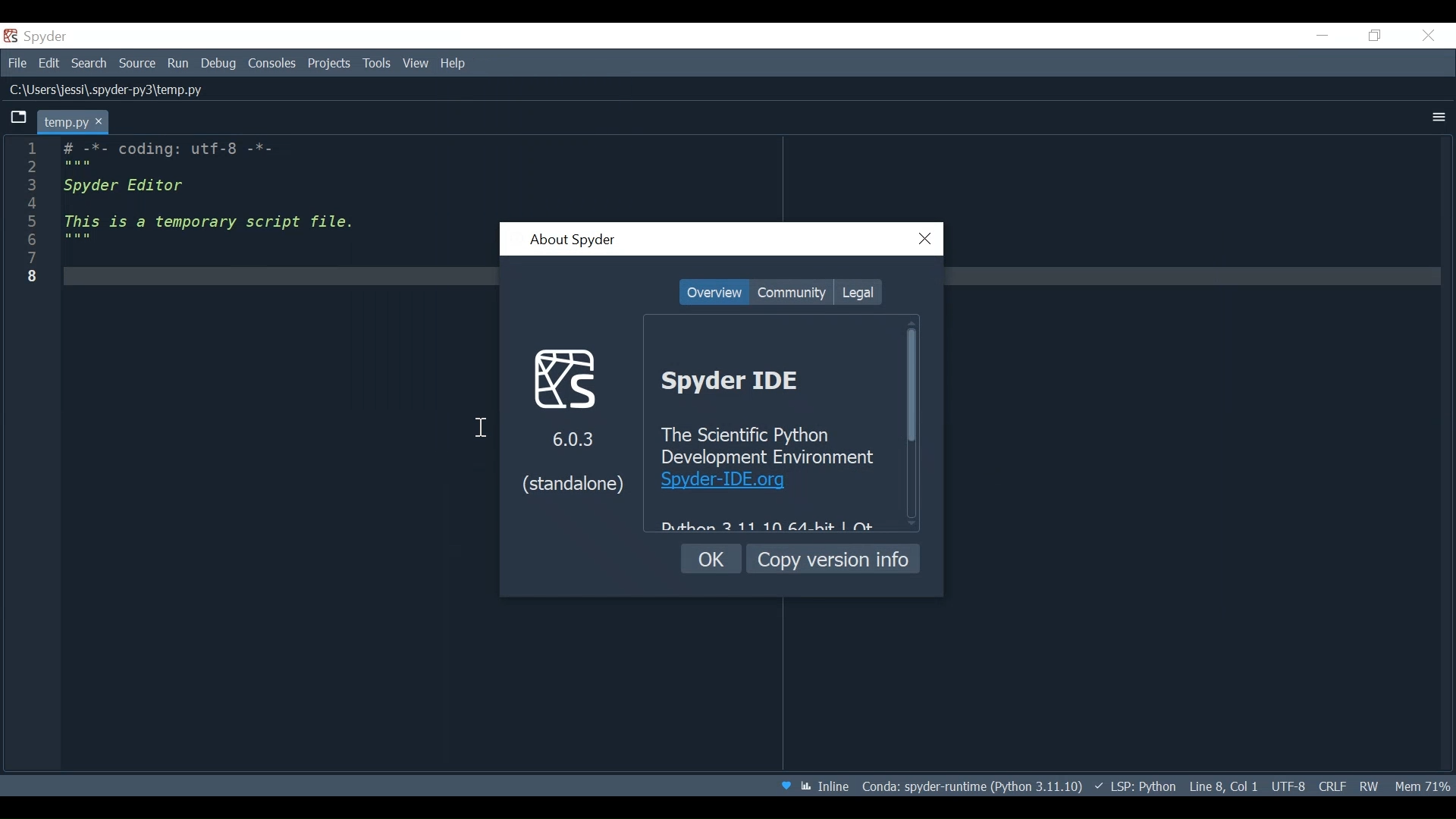 Image resolution: width=1456 pixels, height=819 pixels. I want to click on Minimize, so click(1323, 36).